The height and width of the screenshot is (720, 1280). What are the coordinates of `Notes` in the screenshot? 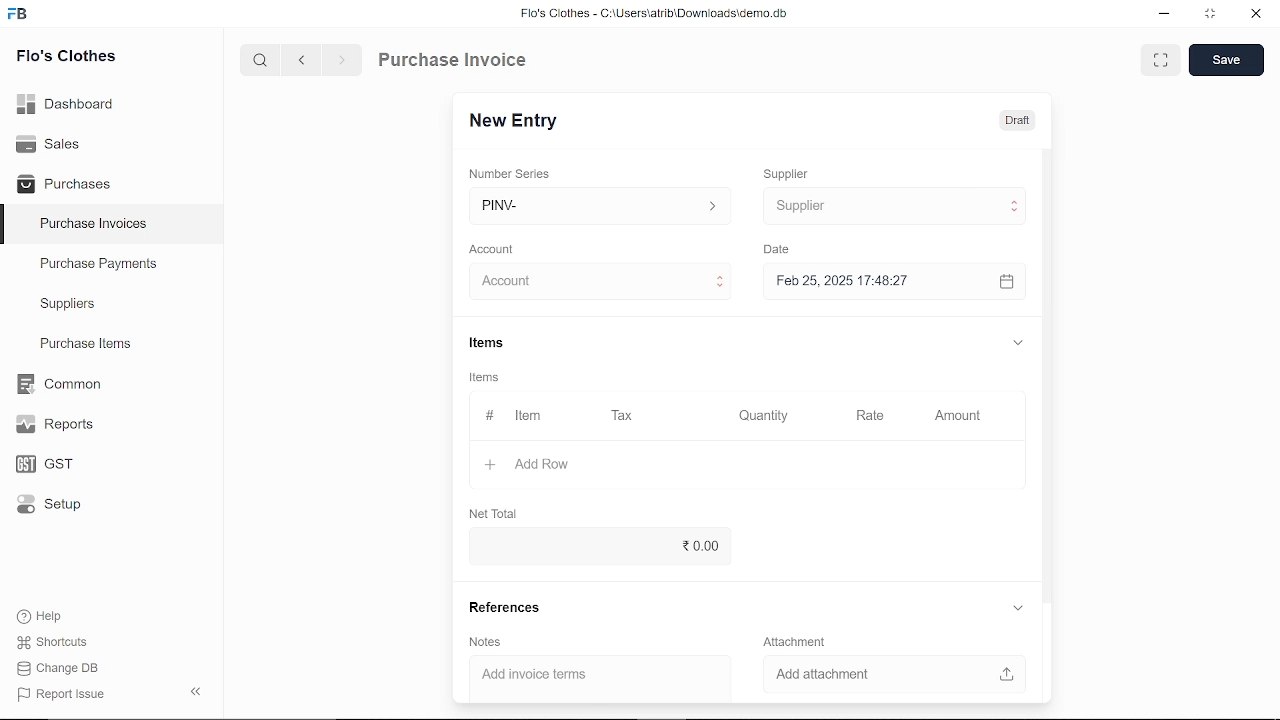 It's located at (487, 643).